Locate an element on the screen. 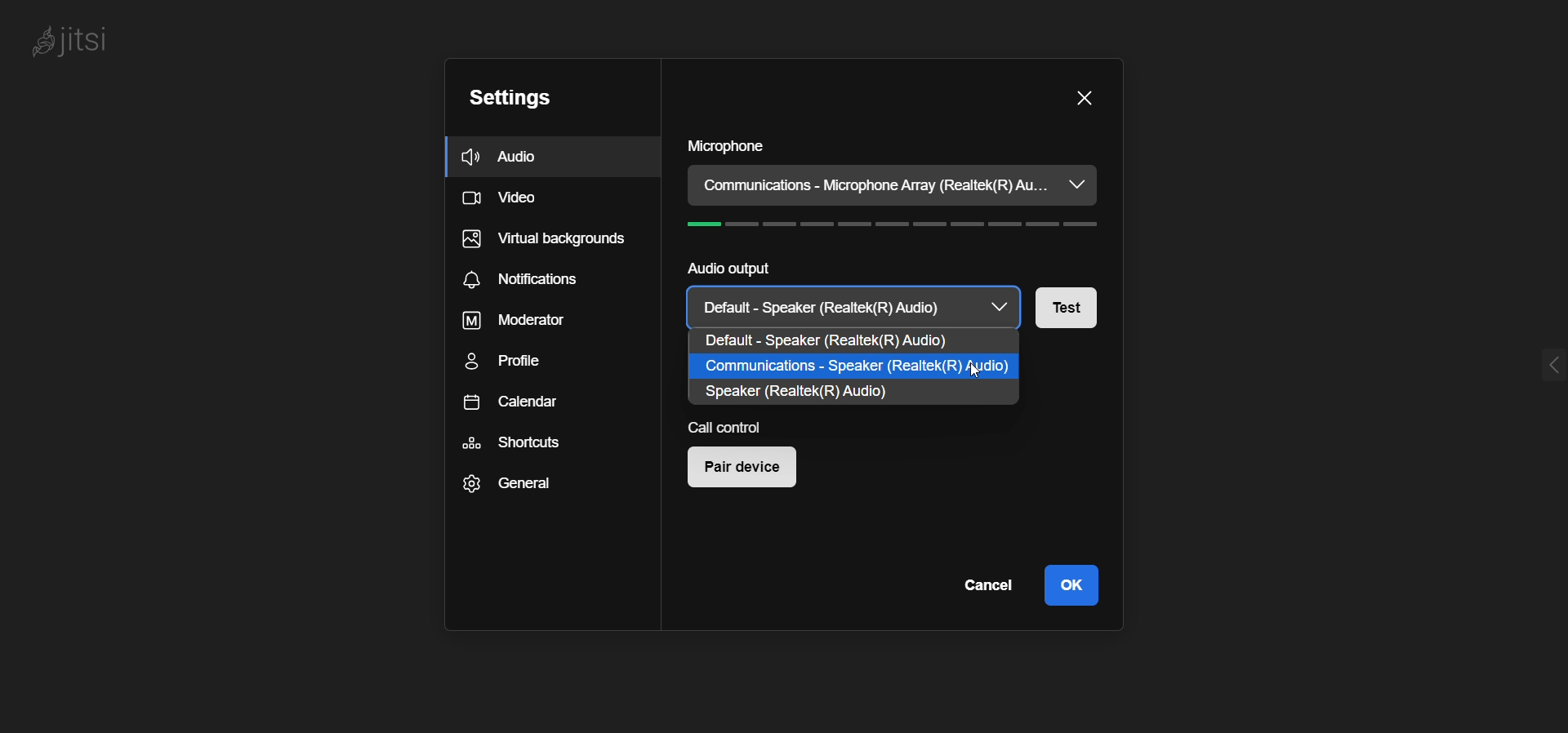 The width and height of the screenshot is (1568, 733). profile is located at coordinates (514, 362).